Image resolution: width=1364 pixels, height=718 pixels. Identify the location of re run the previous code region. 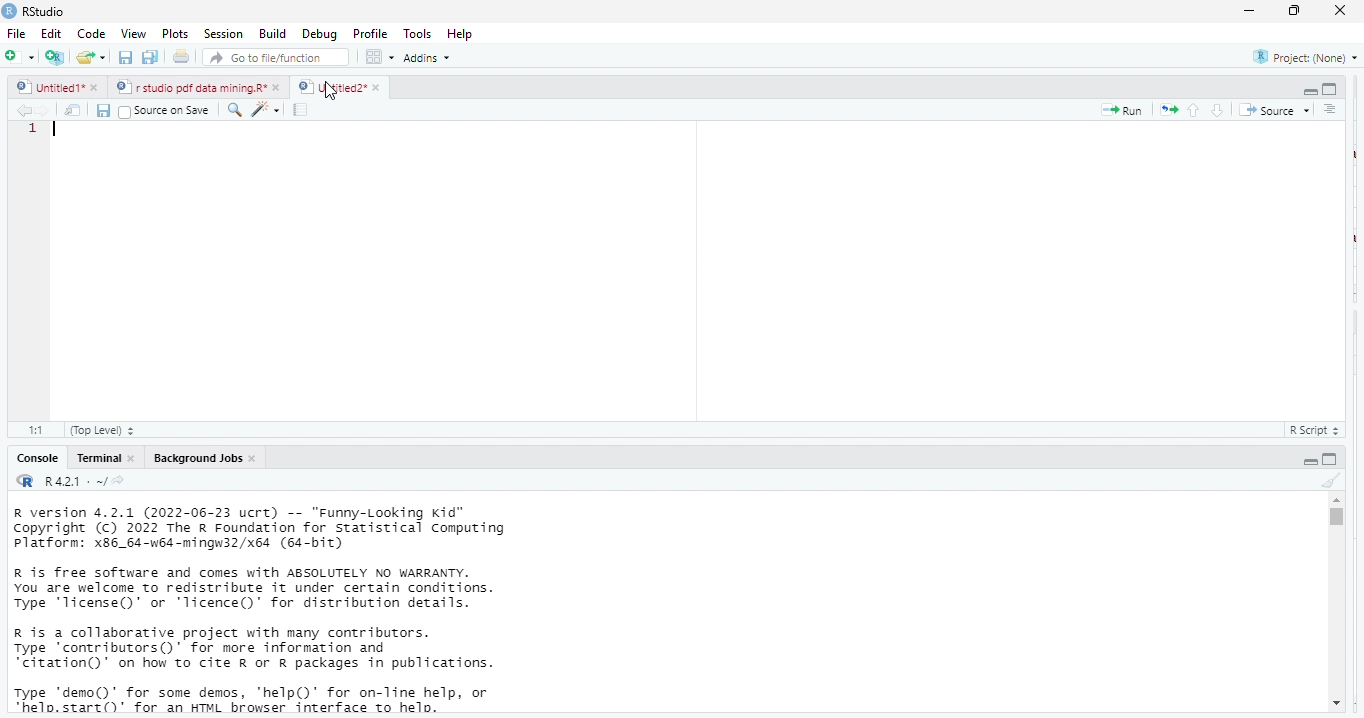
(1165, 109).